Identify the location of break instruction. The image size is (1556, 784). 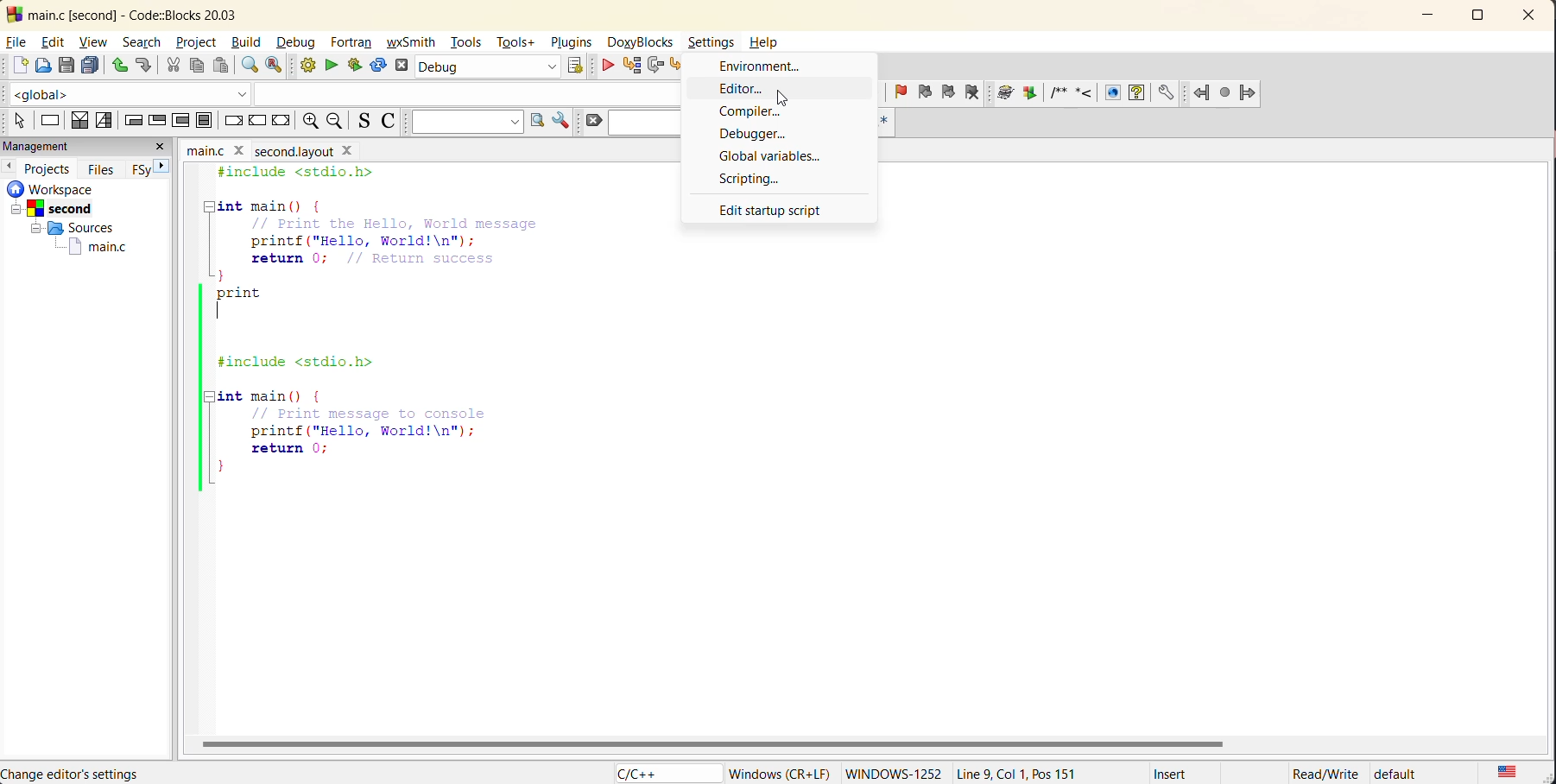
(231, 121).